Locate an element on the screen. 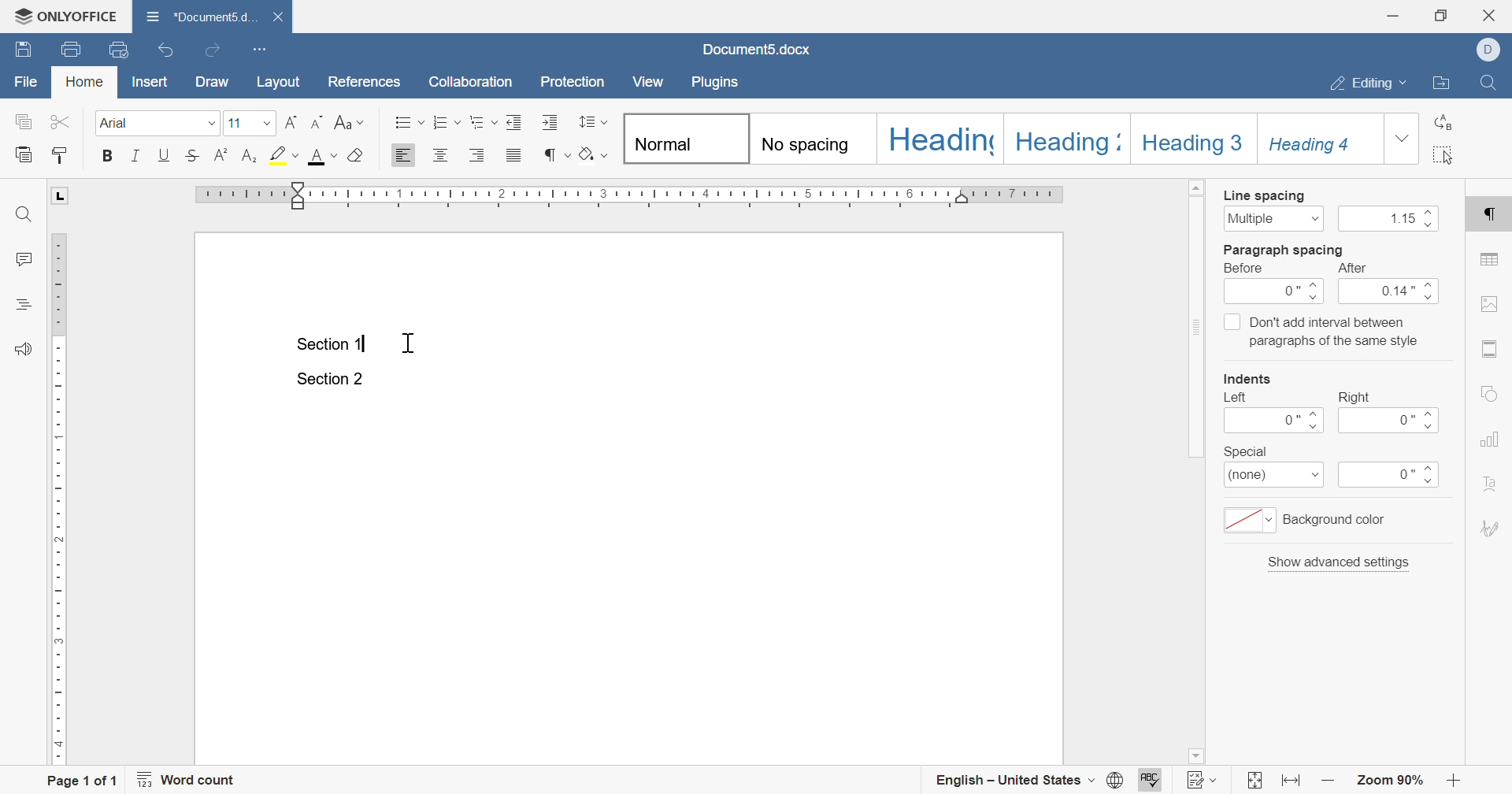 This screenshot has width=1512, height=794. open file location is located at coordinates (1441, 83).